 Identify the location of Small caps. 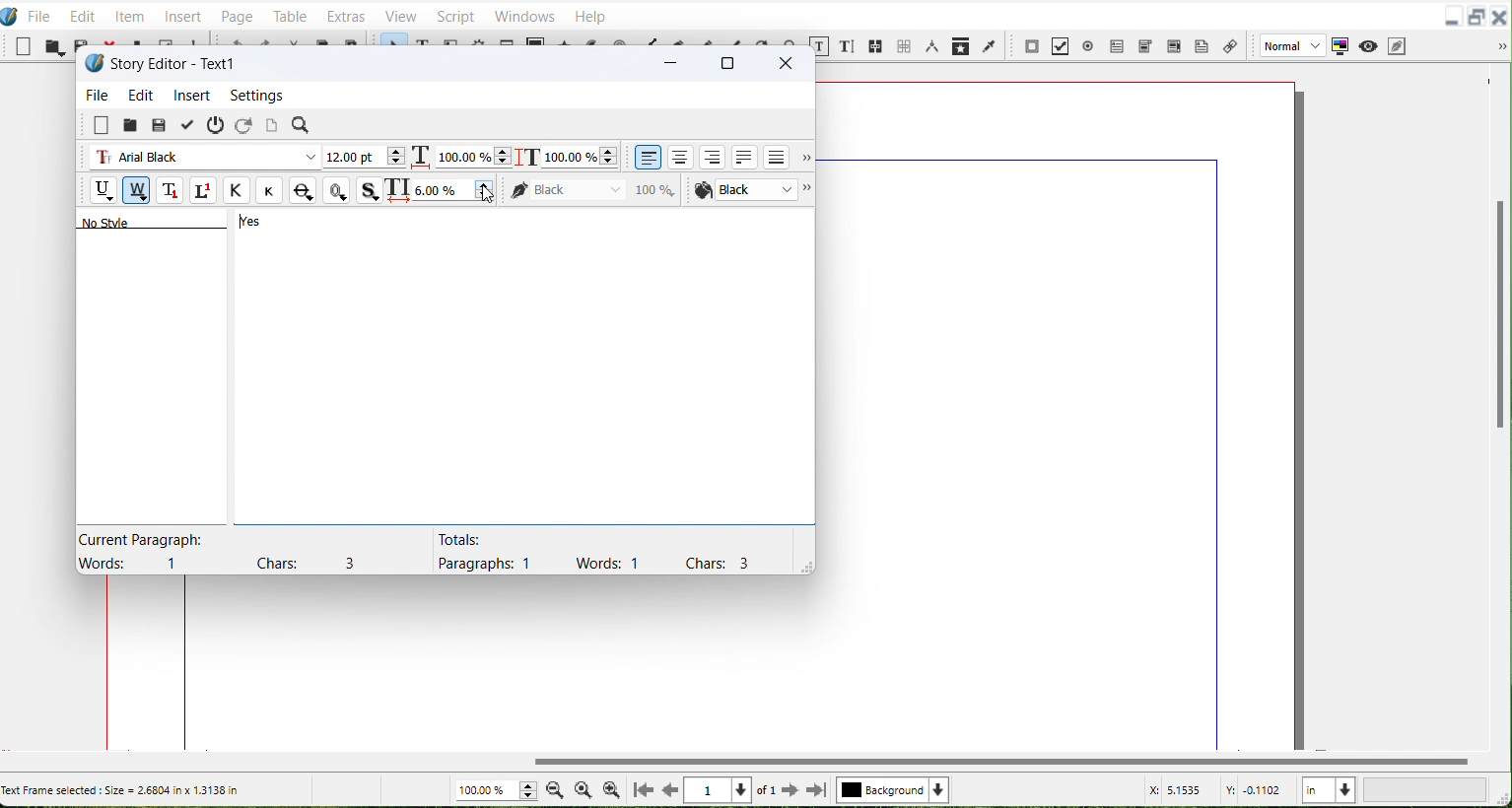
(268, 189).